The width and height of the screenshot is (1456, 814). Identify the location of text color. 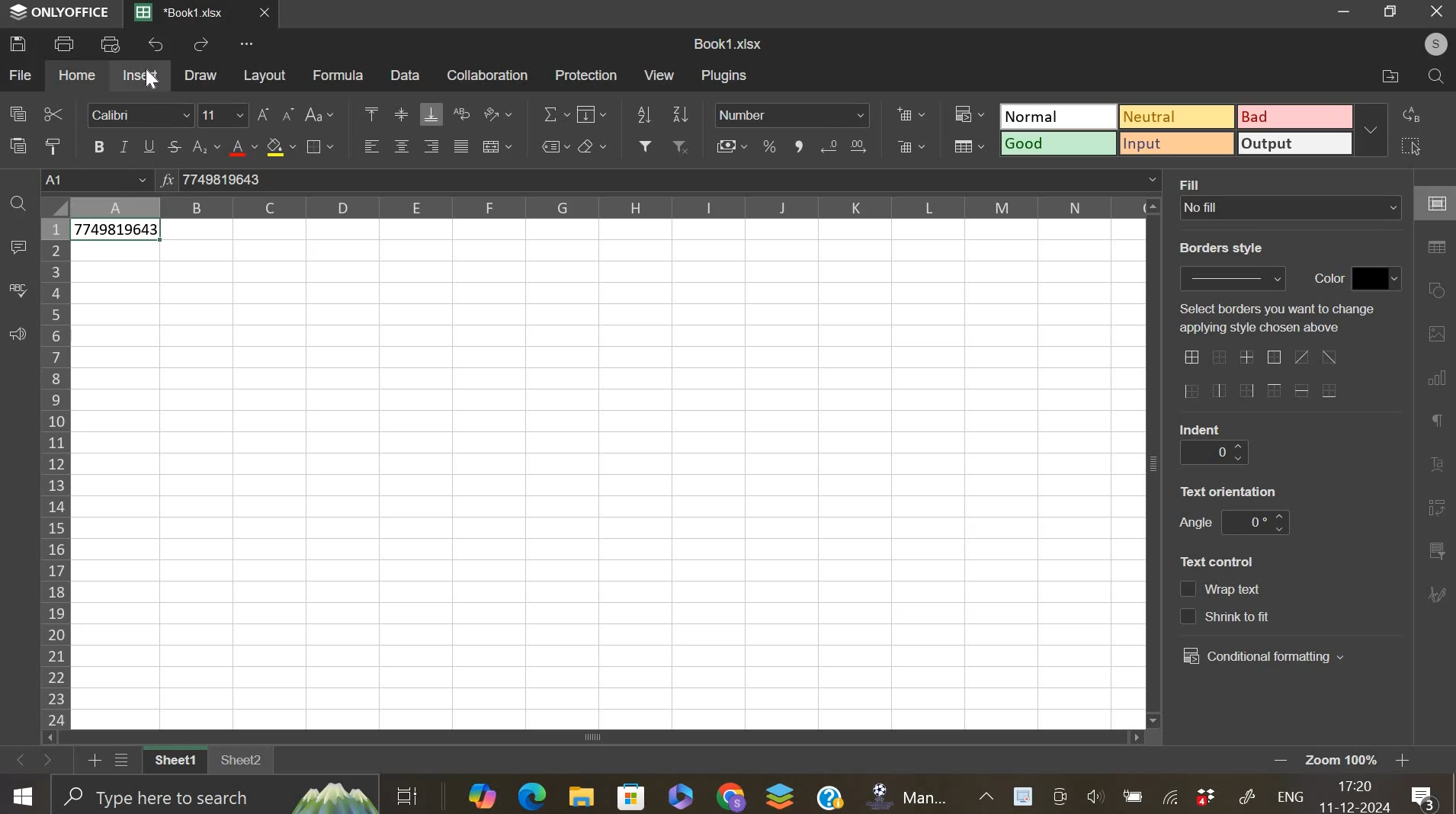
(243, 149).